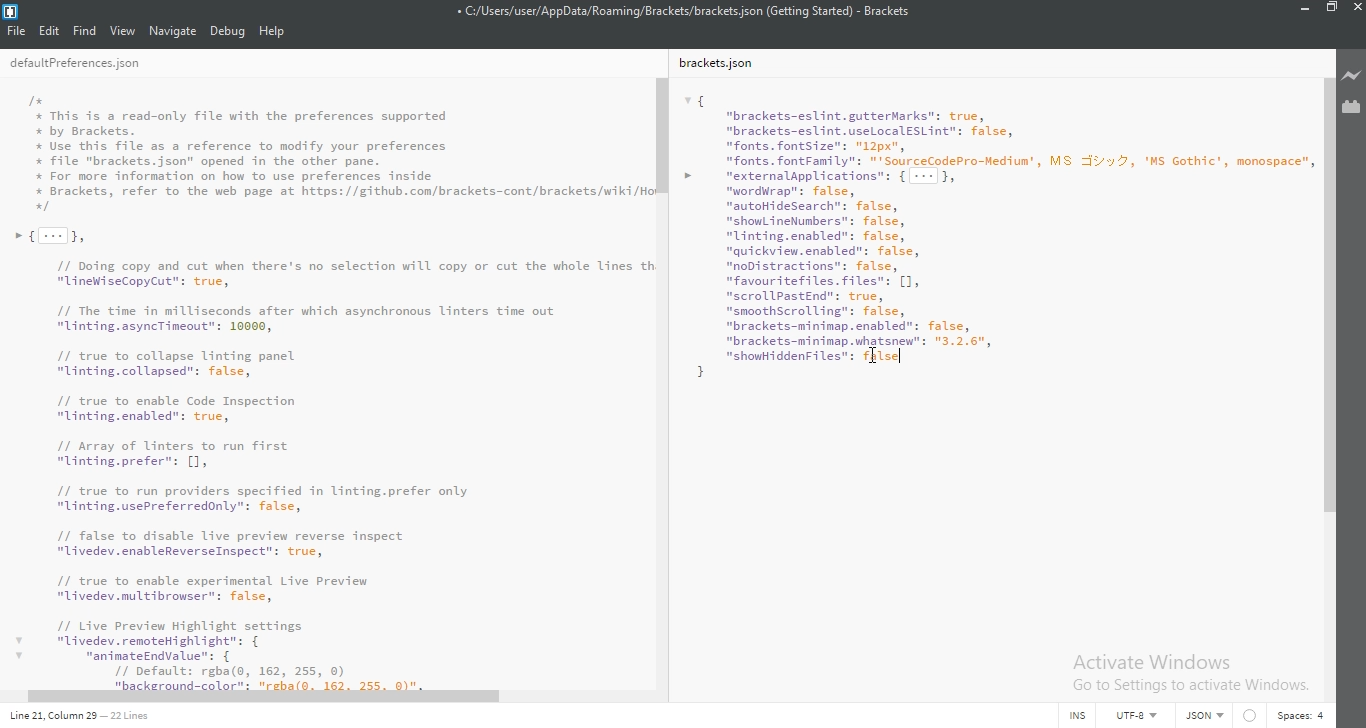 The width and height of the screenshot is (1366, 728). Describe the element at coordinates (992, 234) in the screenshot. I see `{
"brackets-eslint.gutterMarks": true,
"brackets-eslint.useLocal€SLint": false,
"fonts. fontsize": "12px",
"fonts. fontFamily": "'SourceCodePro-Nedium', MS v2, 'MS Gothic’, monospace”
> vexternalpplications": { --- },
"wordWrap": false,
“autoHidesearch": false,
"shomLineNumbers": false,
"Uinting.enabled": false,
"quickview.enabled": false,
"noDistractions": false,
"favour itefiles. files": [1,
"scrollPastEnd": true,
"smoothScrolling": false,
“brackets-minimap.enabled": false,` at that location.